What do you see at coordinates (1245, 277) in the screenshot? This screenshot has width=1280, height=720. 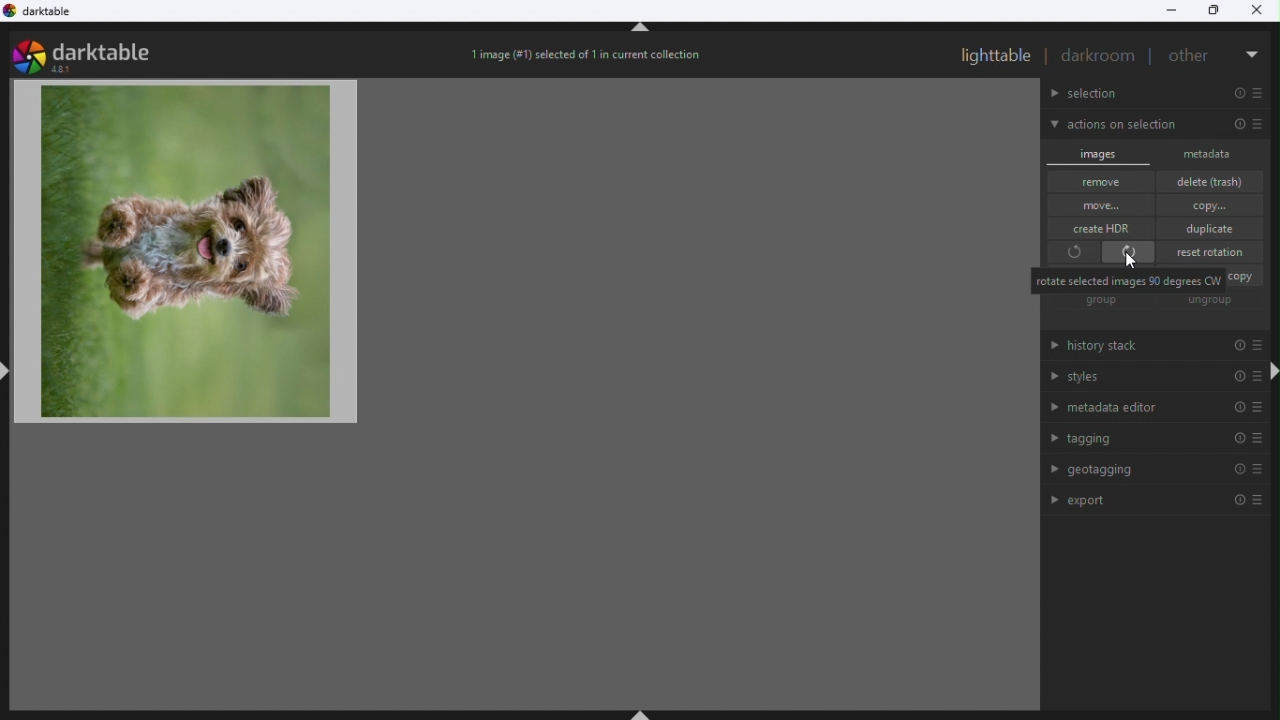 I see `copy` at bounding box center [1245, 277].